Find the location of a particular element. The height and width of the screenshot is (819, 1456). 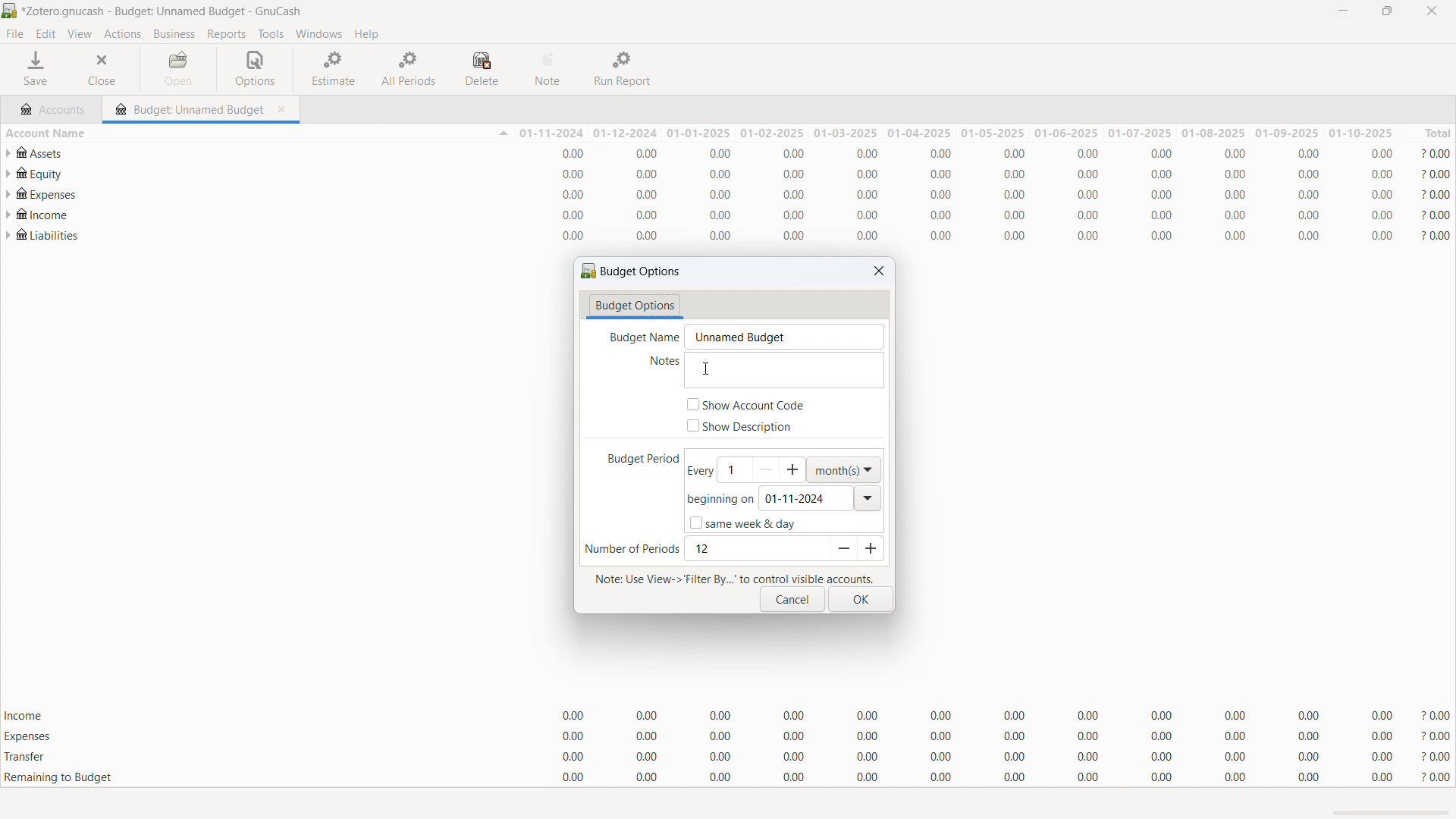

open calendar is located at coordinates (870, 498).